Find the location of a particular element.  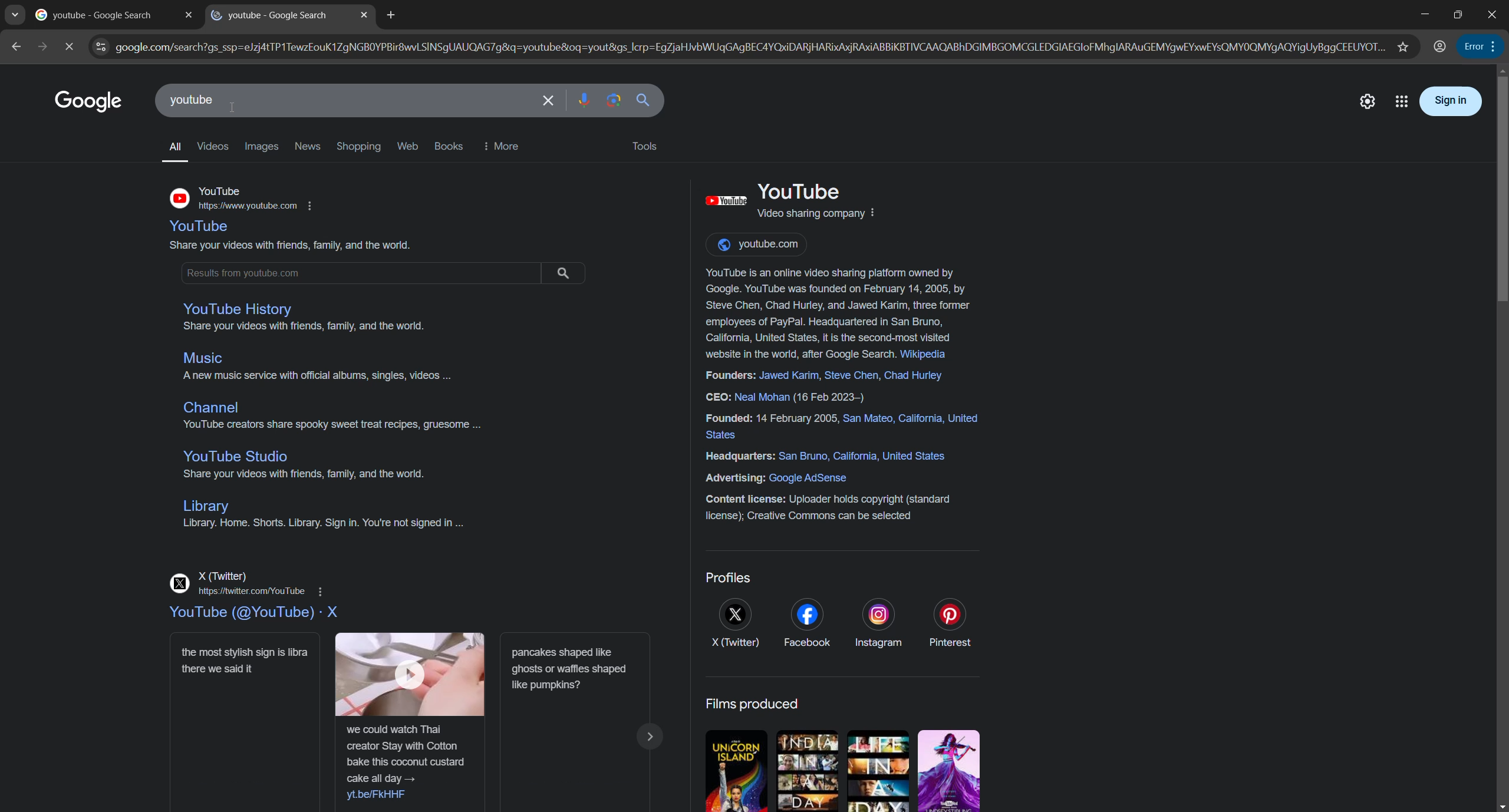

youtube is located at coordinates (245, 199).